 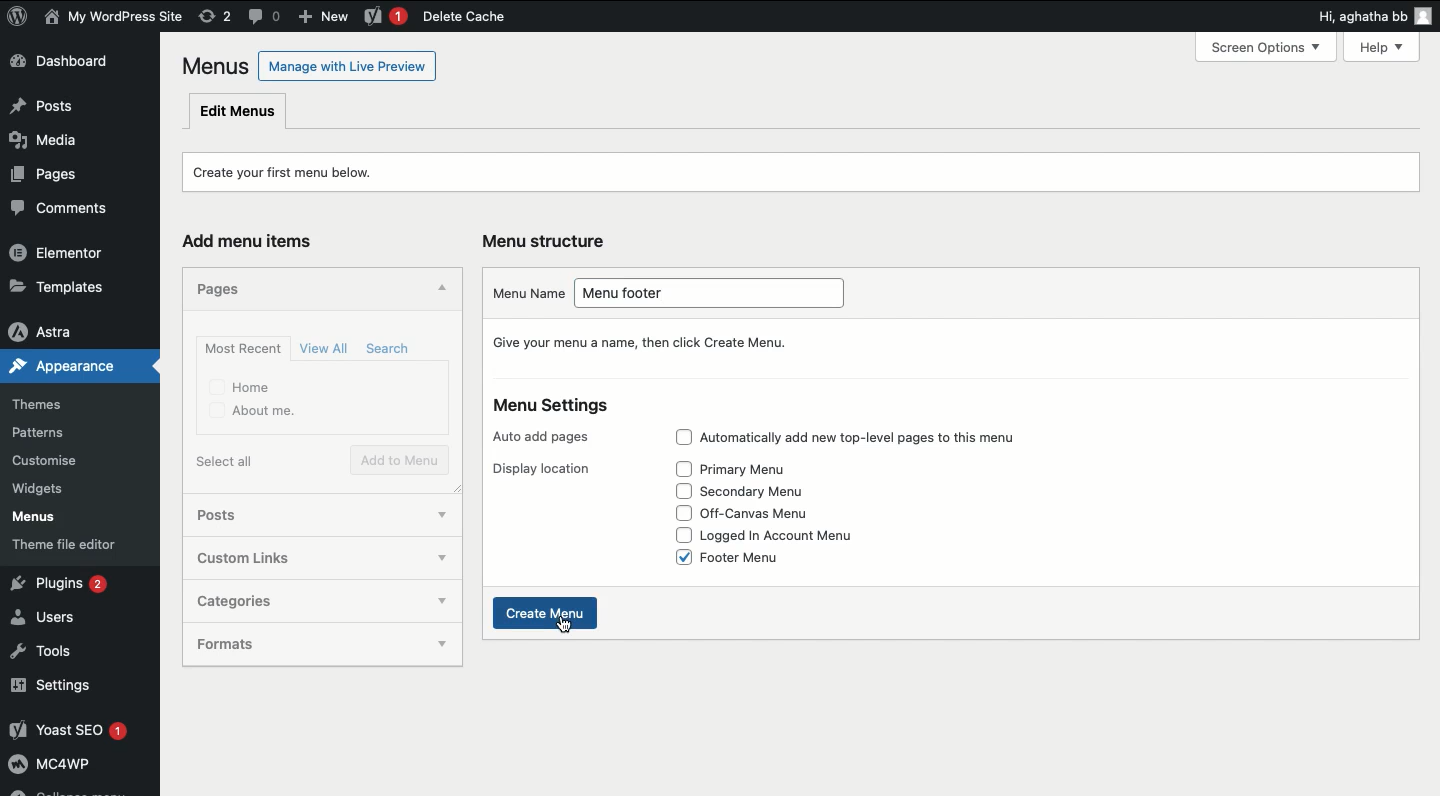 What do you see at coordinates (521, 293) in the screenshot?
I see `Menu name` at bounding box center [521, 293].